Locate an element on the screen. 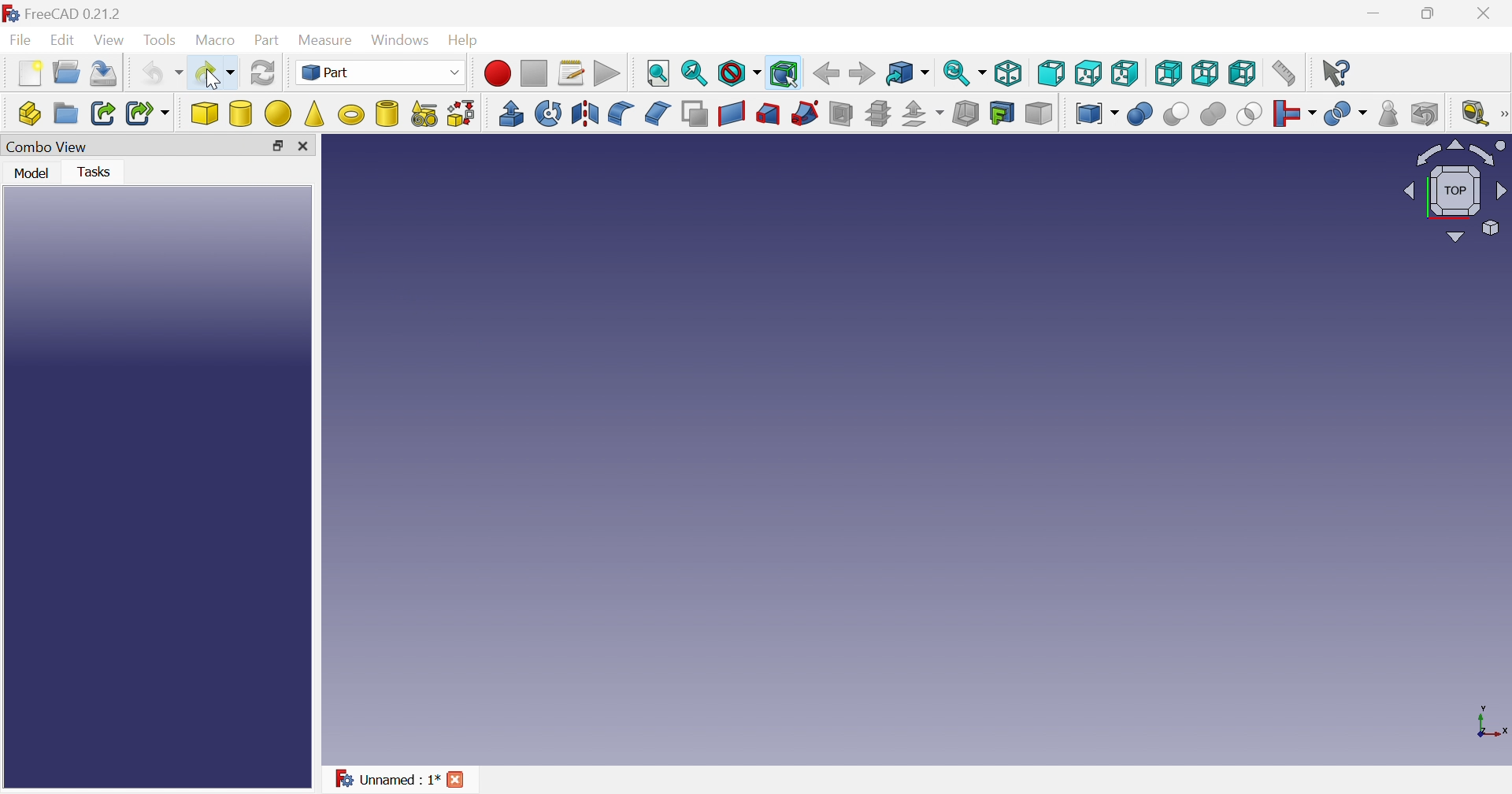  Extrude... is located at coordinates (511, 113).